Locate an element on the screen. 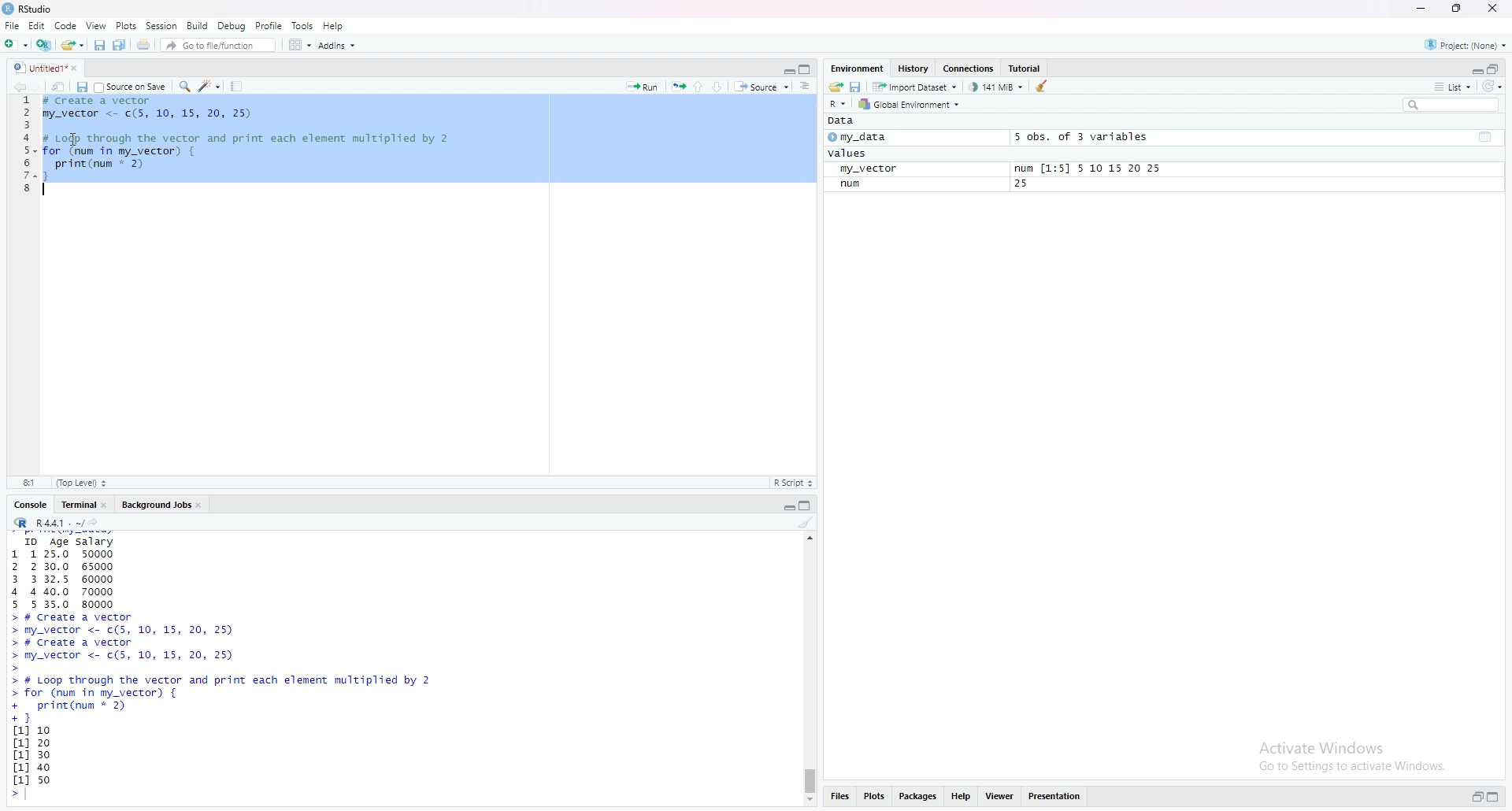 The width and height of the screenshot is (1512, 811). Rstudio is located at coordinates (31, 9).